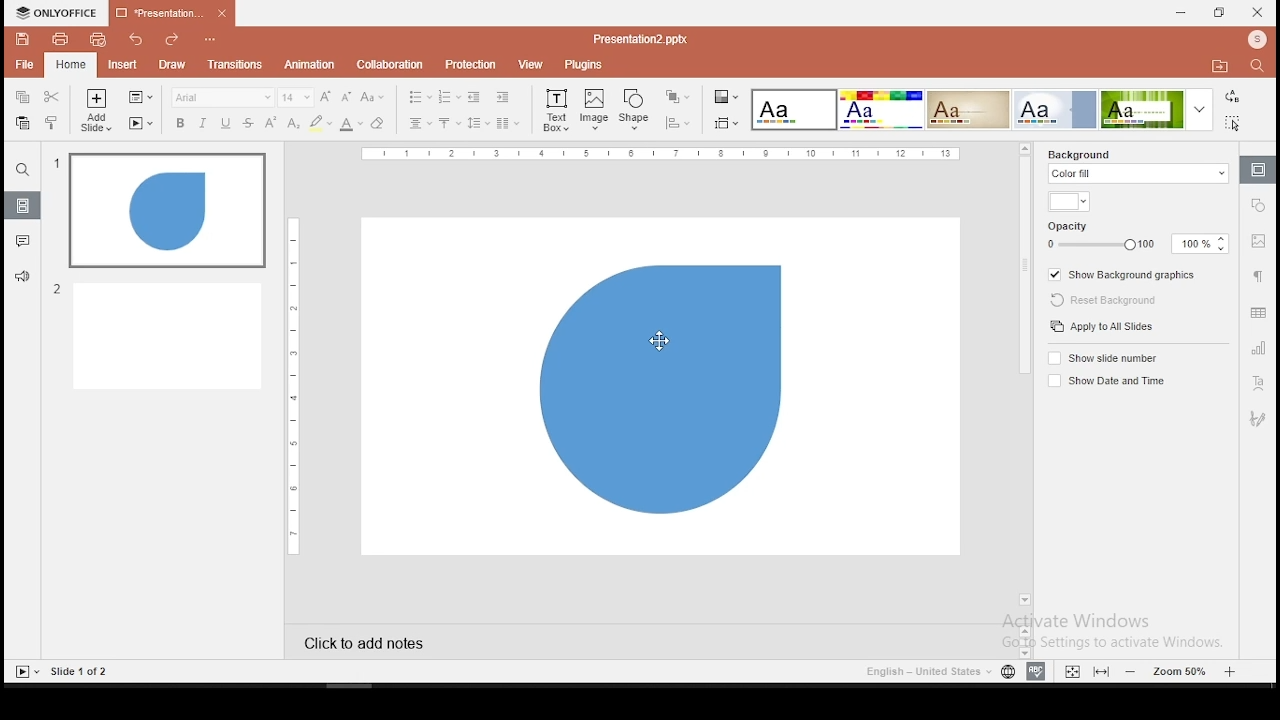 This screenshot has height=720, width=1280. What do you see at coordinates (1258, 276) in the screenshot?
I see `paragraph settings` at bounding box center [1258, 276].